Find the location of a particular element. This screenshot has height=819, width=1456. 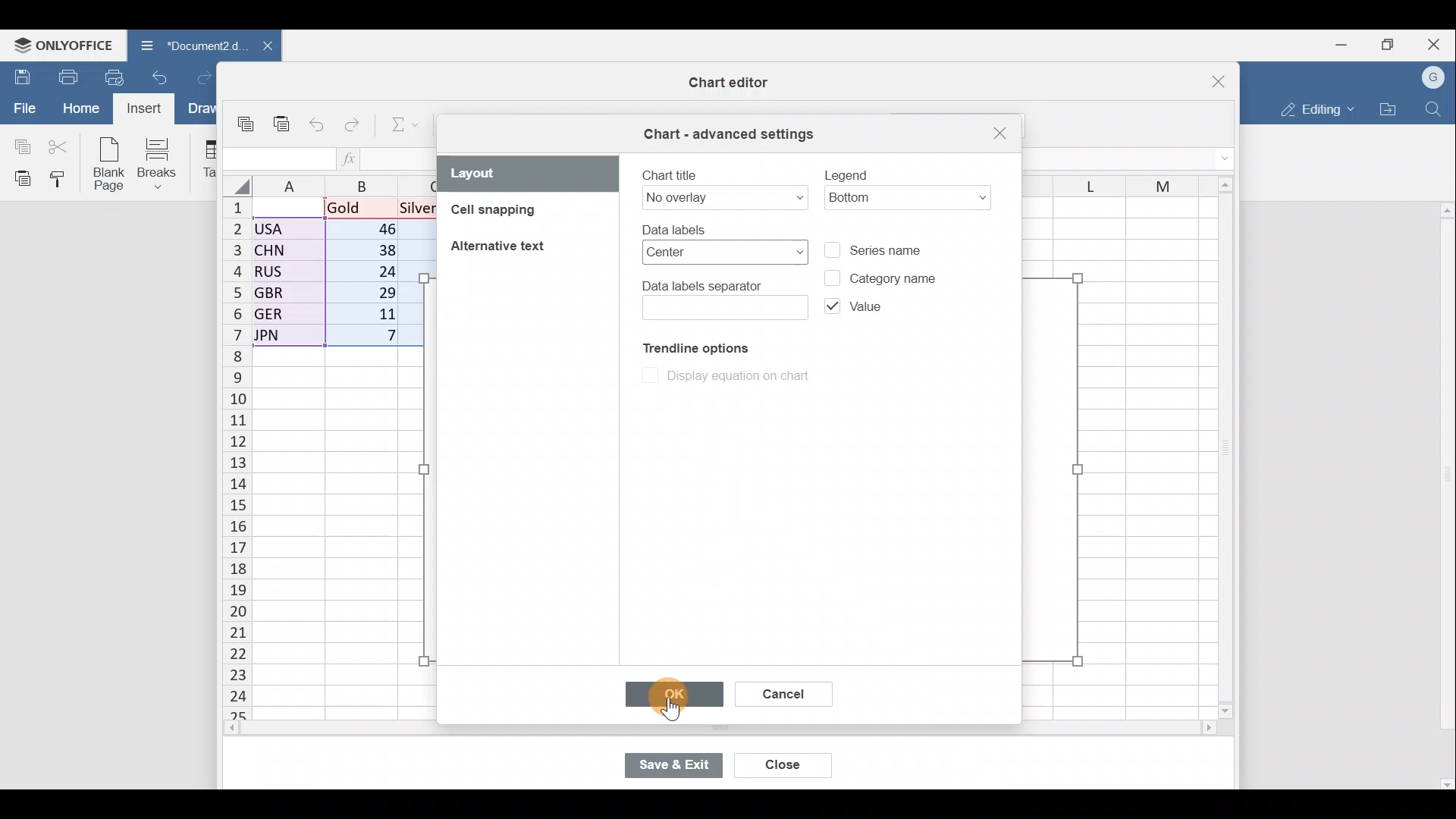

Cut is located at coordinates (59, 146).